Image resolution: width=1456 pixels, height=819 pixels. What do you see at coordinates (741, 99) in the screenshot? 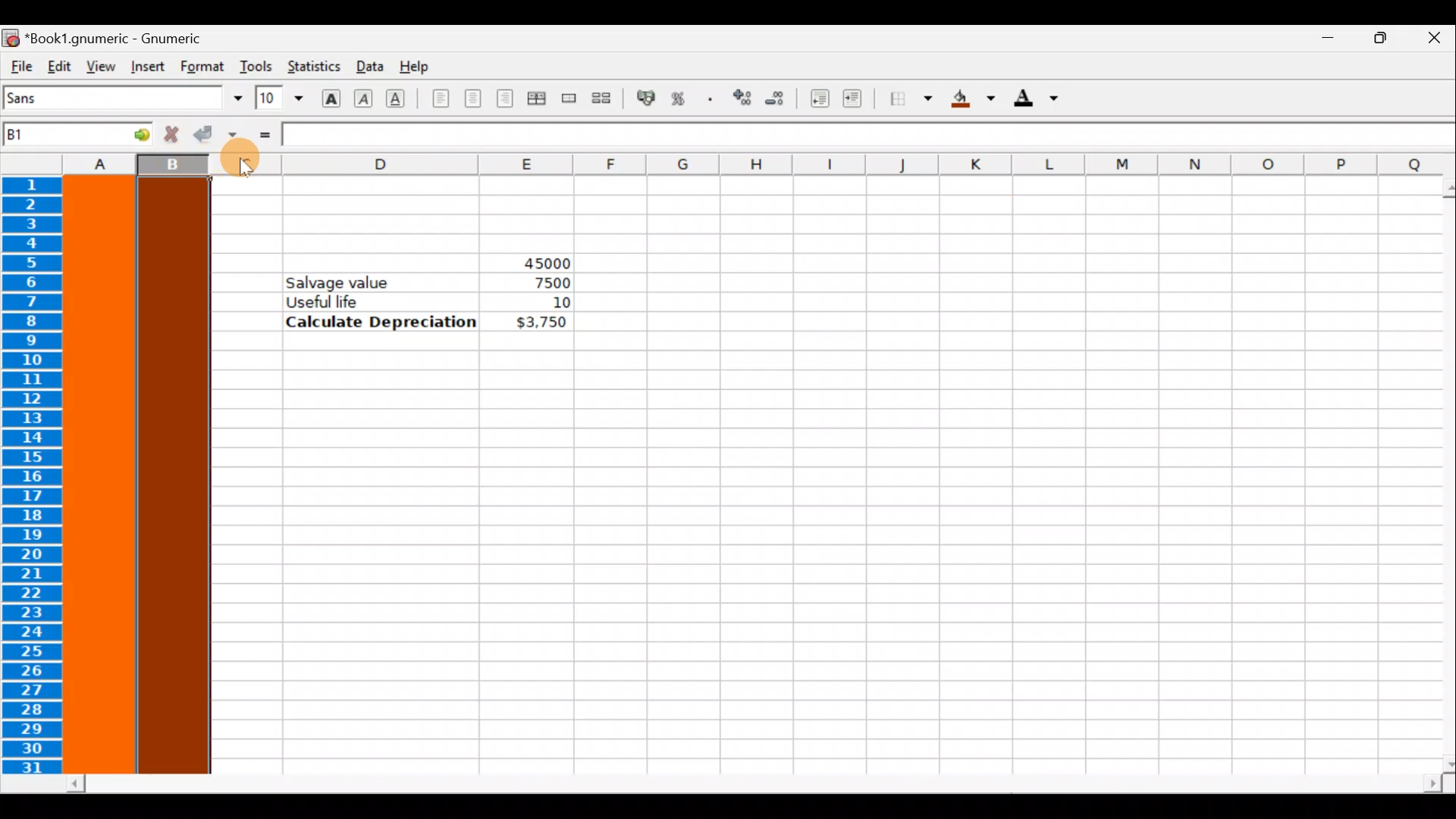
I see `Increase the number of decimals` at bounding box center [741, 99].